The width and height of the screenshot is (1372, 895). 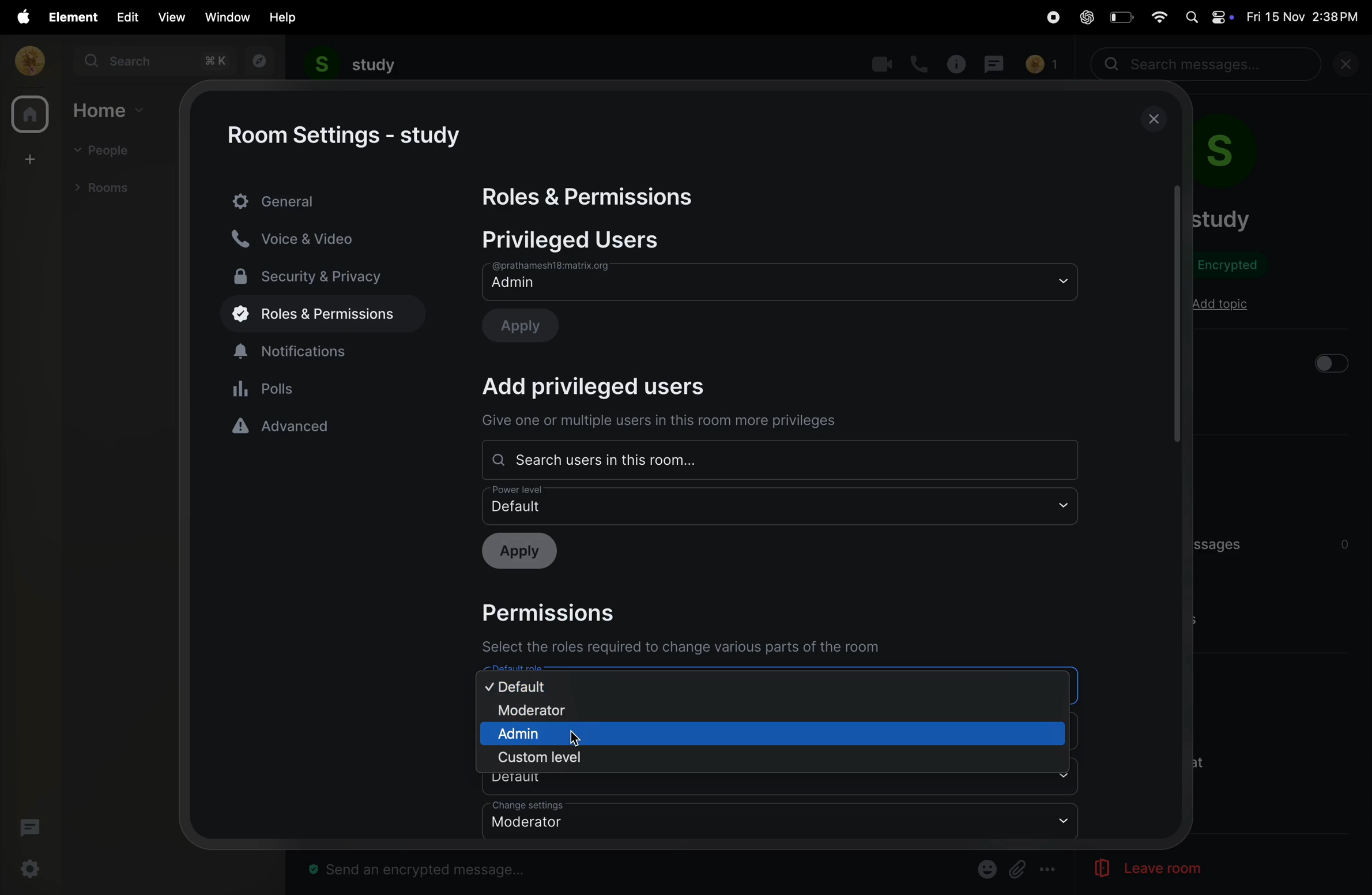 What do you see at coordinates (29, 830) in the screenshot?
I see `threads` at bounding box center [29, 830].